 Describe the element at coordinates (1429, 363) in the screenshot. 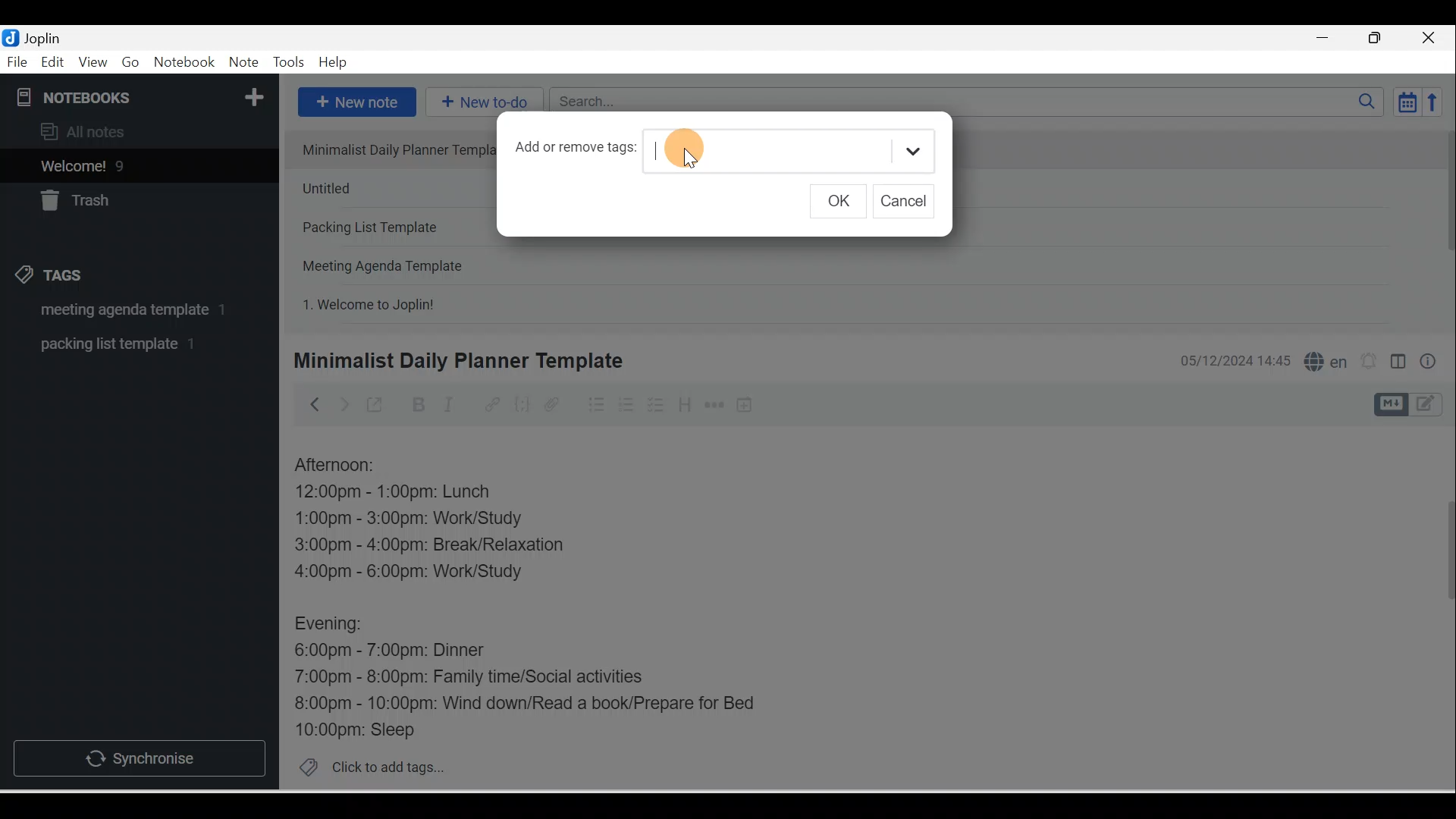

I see `Note properties` at that location.